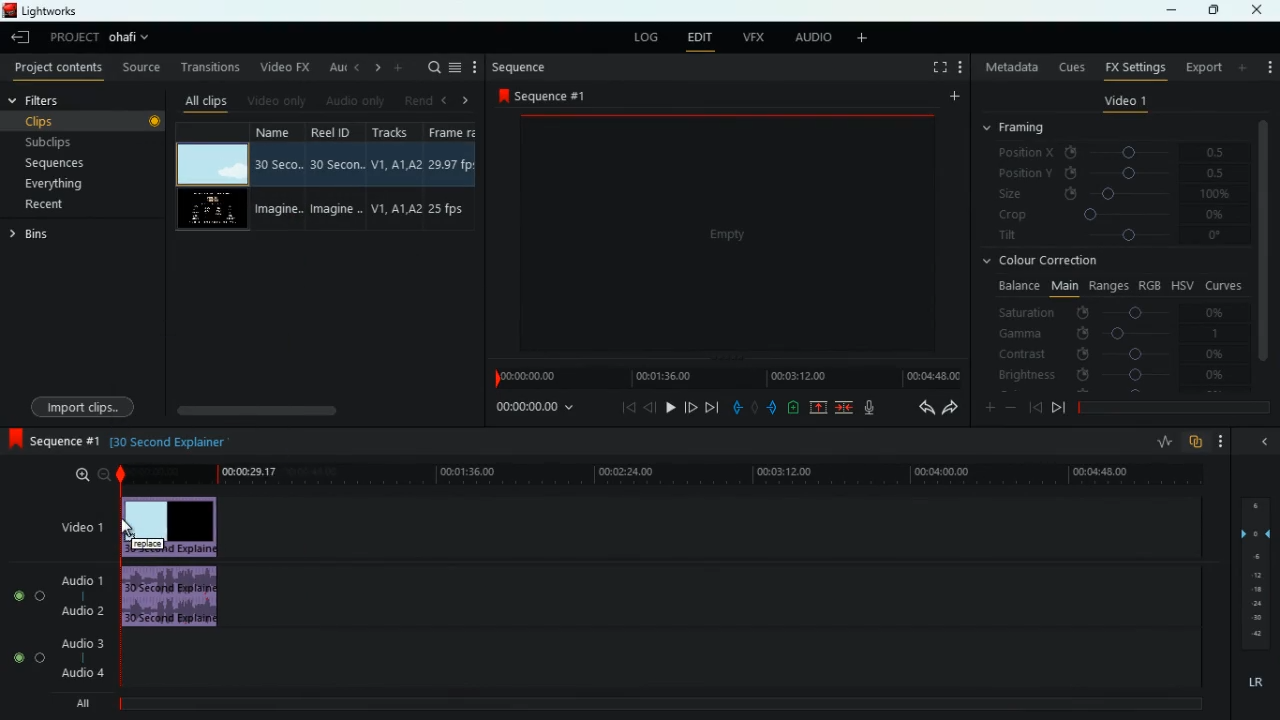  I want to click on leave, so click(22, 36).